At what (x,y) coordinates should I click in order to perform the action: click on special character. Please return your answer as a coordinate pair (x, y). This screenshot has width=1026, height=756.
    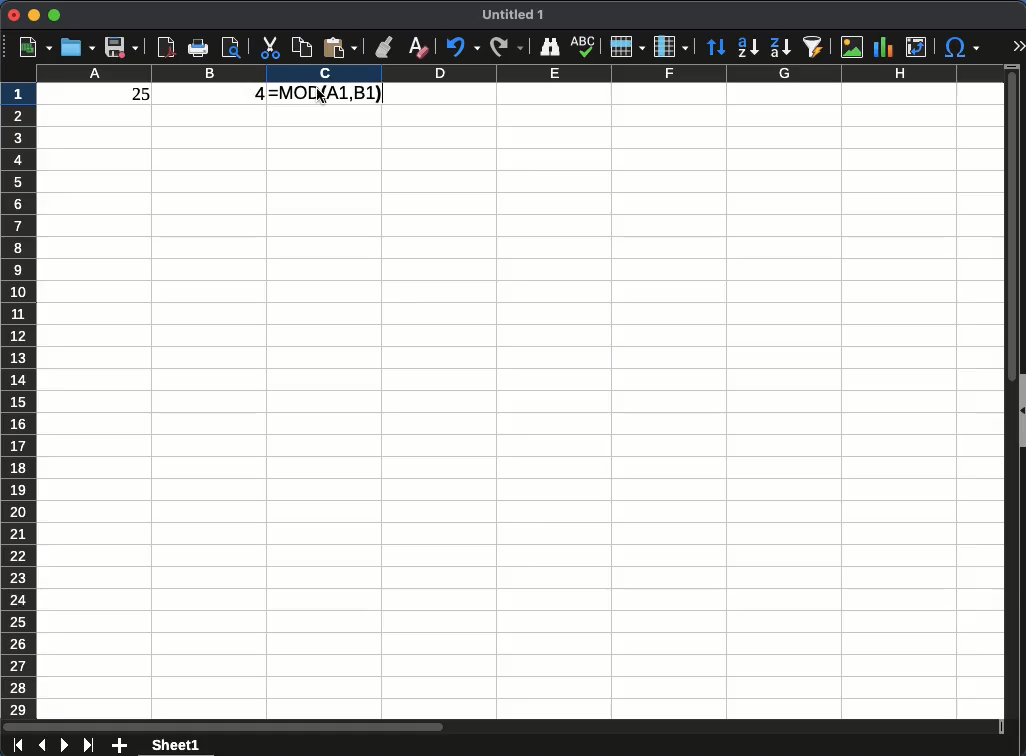
    Looking at the image, I should click on (964, 48).